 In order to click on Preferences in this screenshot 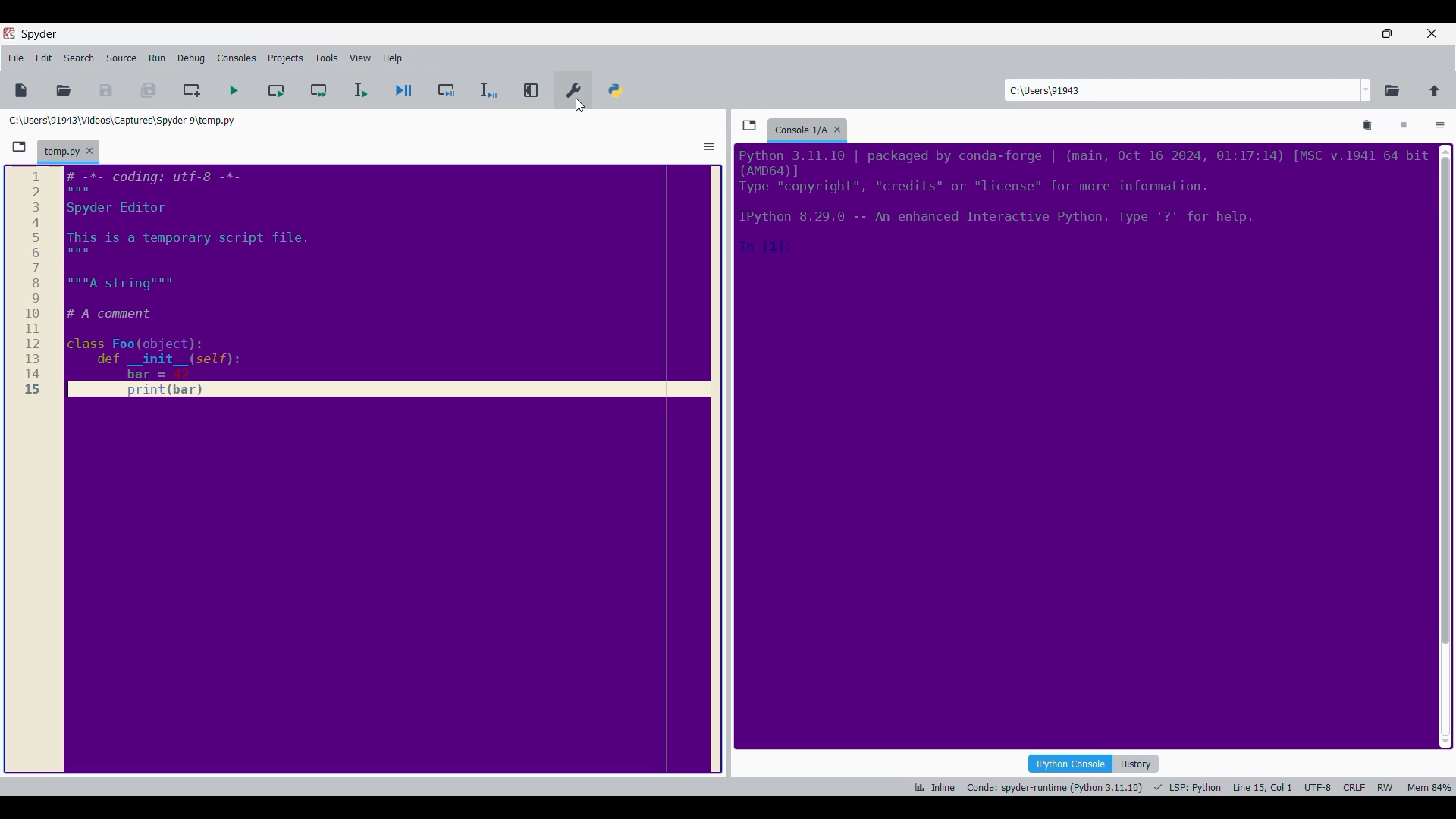, I will do `click(574, 91)`.